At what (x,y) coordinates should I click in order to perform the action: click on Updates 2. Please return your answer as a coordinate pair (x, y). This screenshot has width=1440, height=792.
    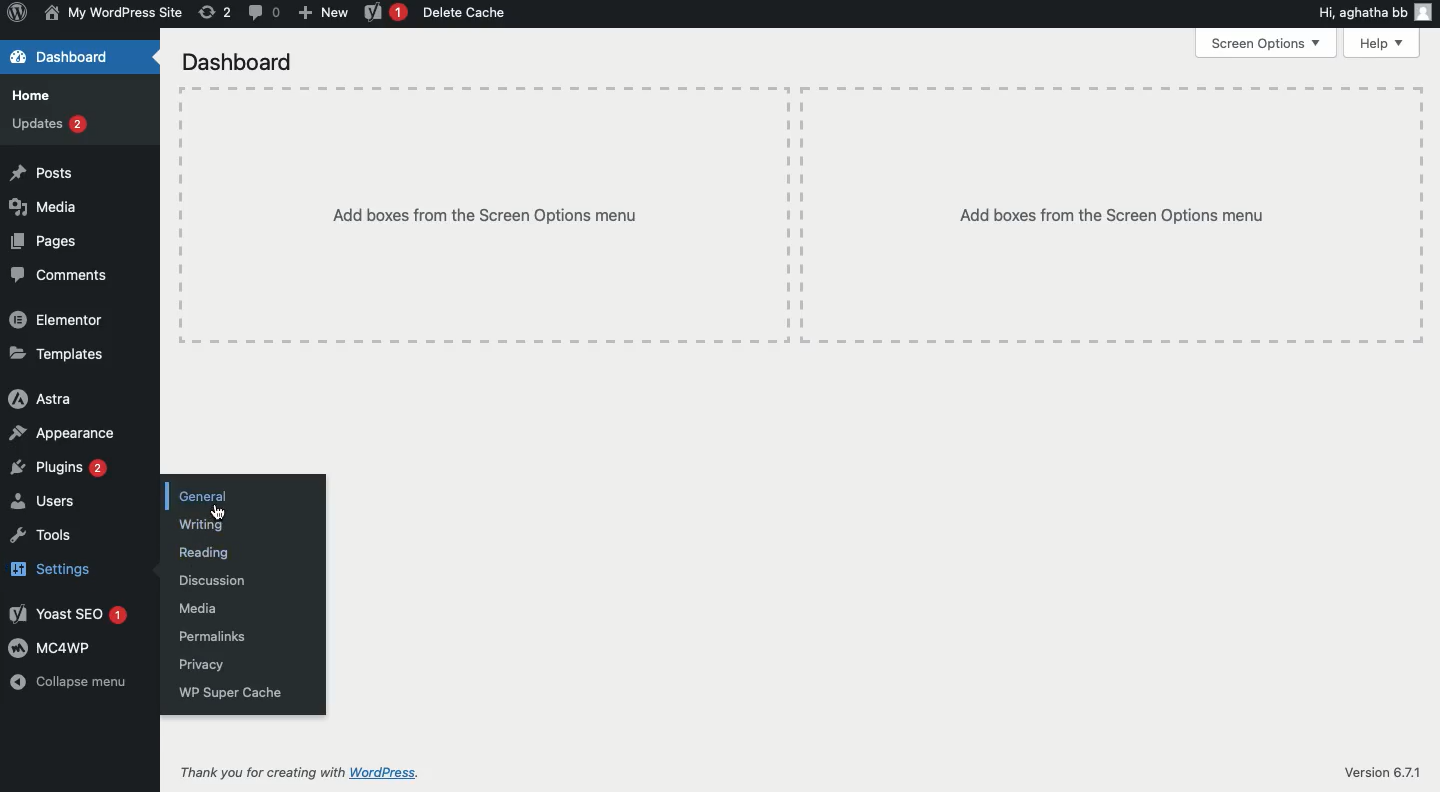
    Looking at the image, I should click on (49, 124).